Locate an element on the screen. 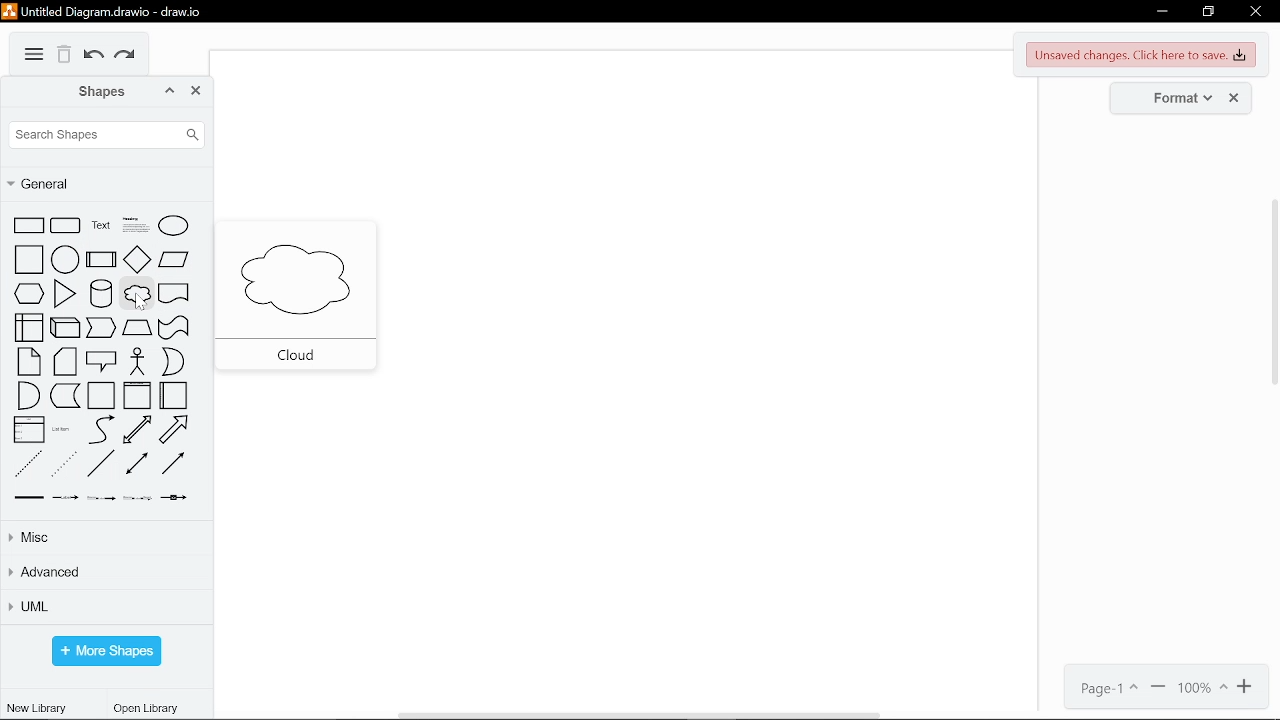 Image resolution: width=1280 pixels, height=720 pixels. close is located at coordinates (198, 91).